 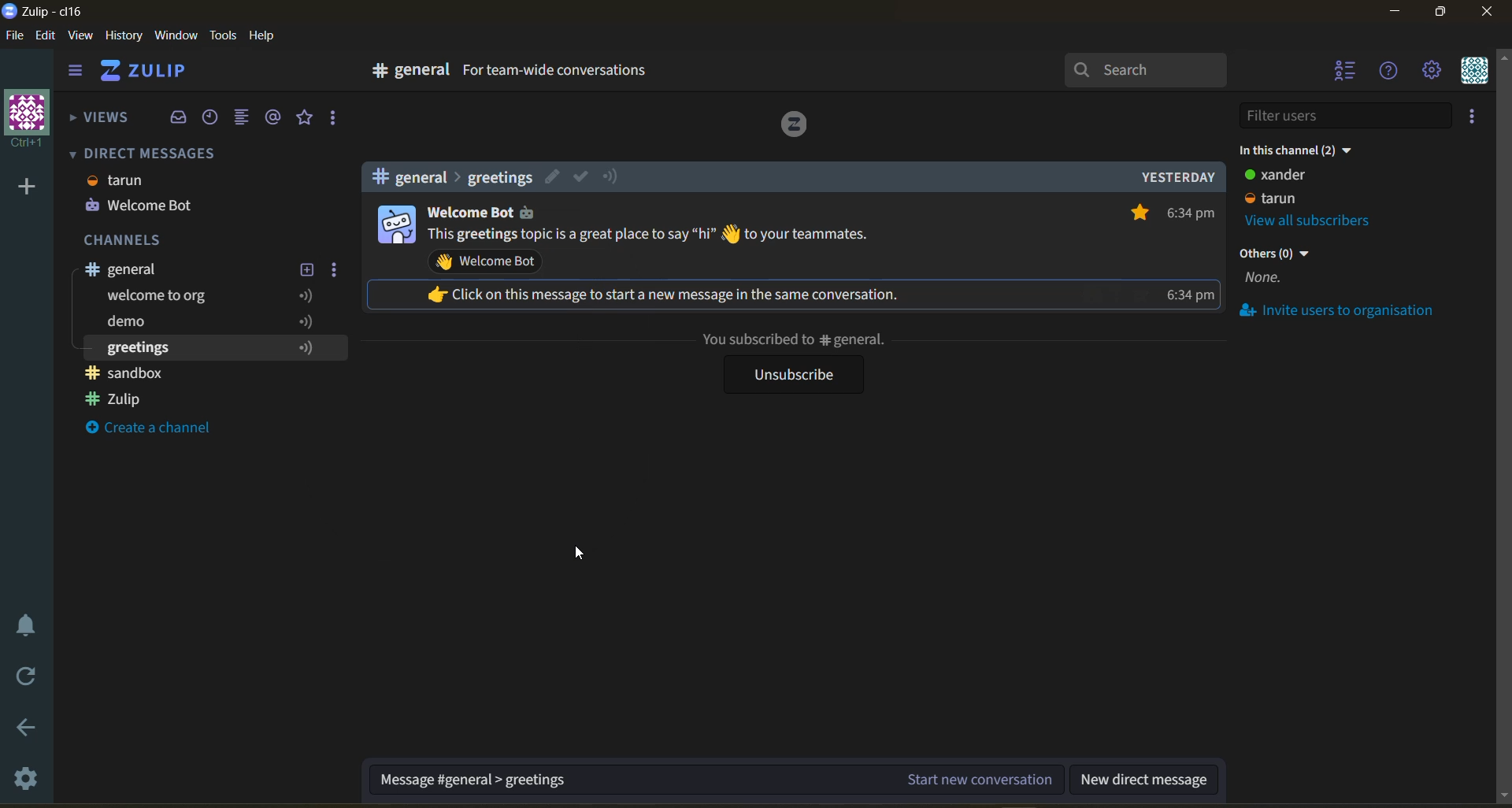 I want to click on invite users to organisation, so click(x=1351, y=313).